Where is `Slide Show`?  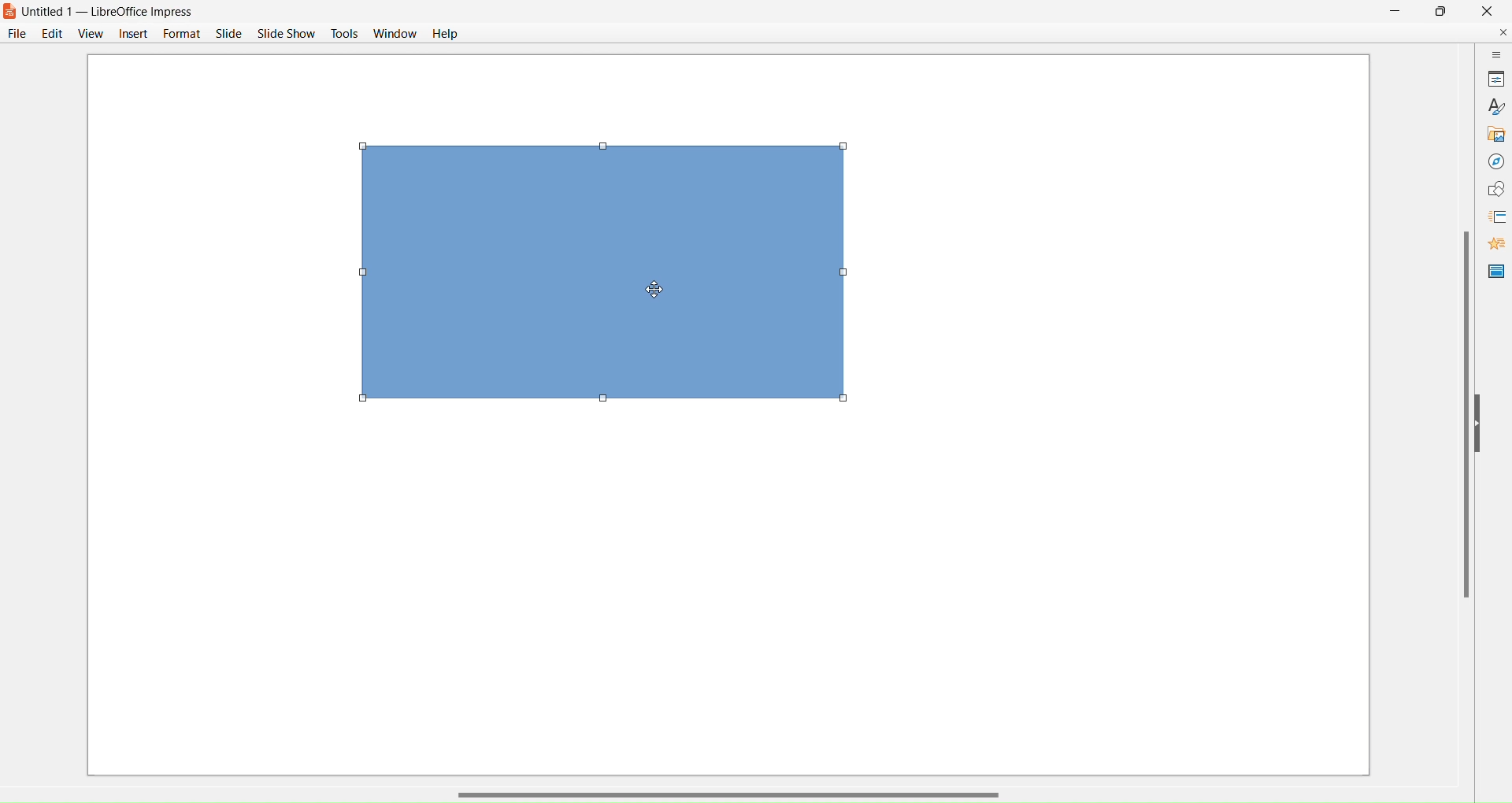
Slide Show is located at coordinates (287, 31).